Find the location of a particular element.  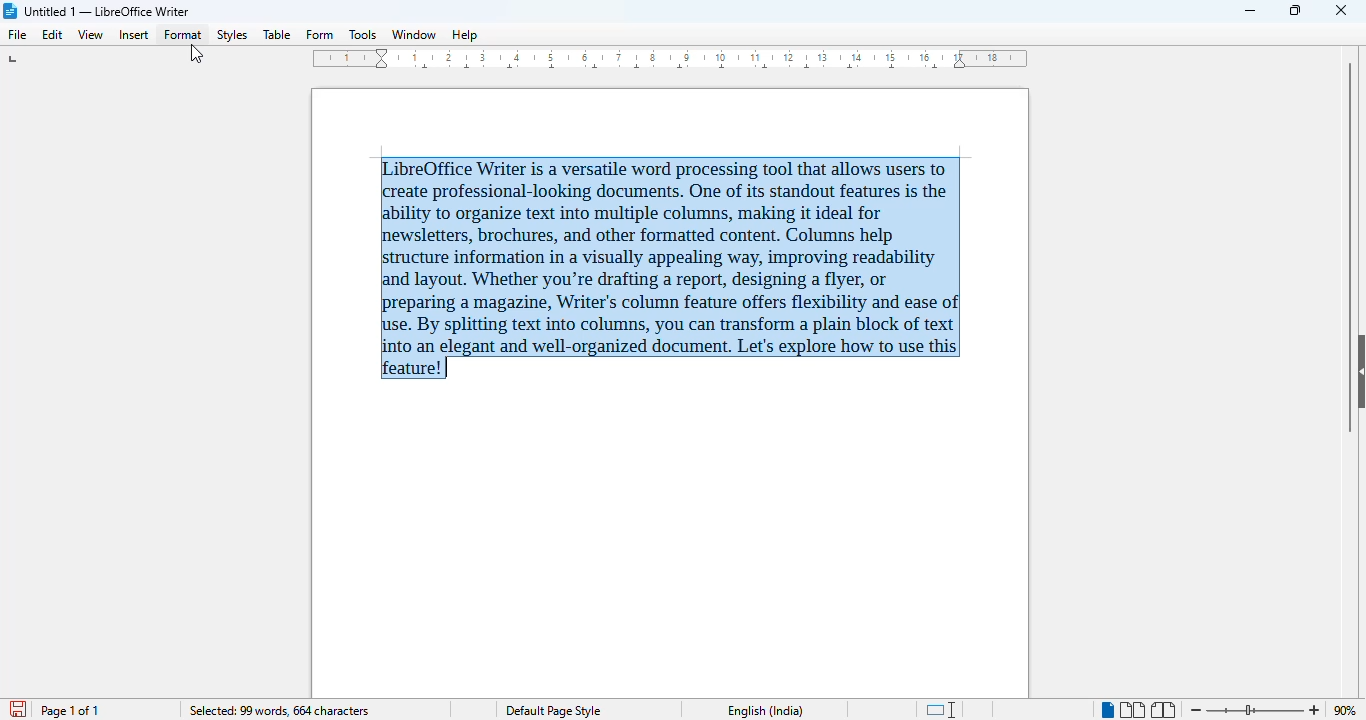

book view is located at coordinates (1165, 710).